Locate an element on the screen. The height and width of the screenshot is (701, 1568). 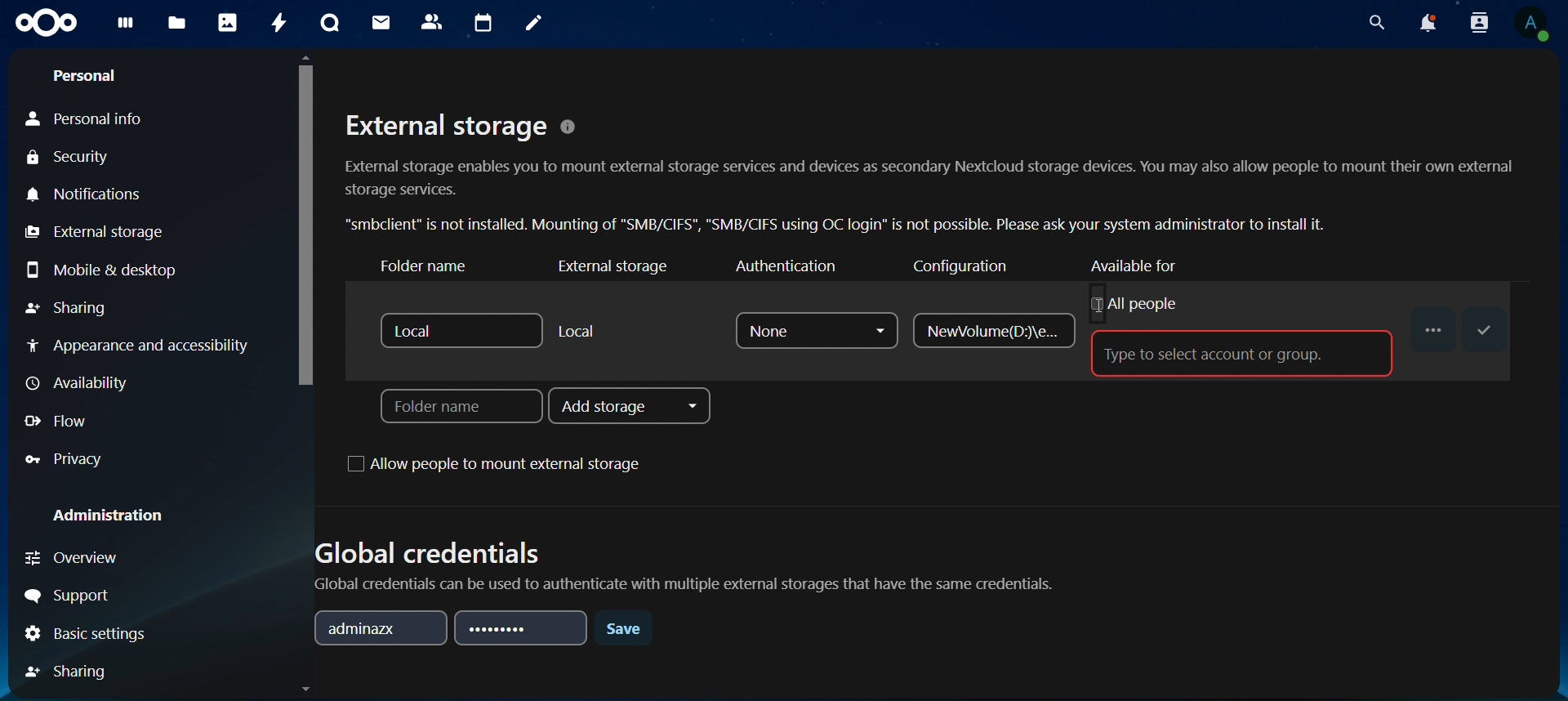
mail is located at coordinates (381, 24).